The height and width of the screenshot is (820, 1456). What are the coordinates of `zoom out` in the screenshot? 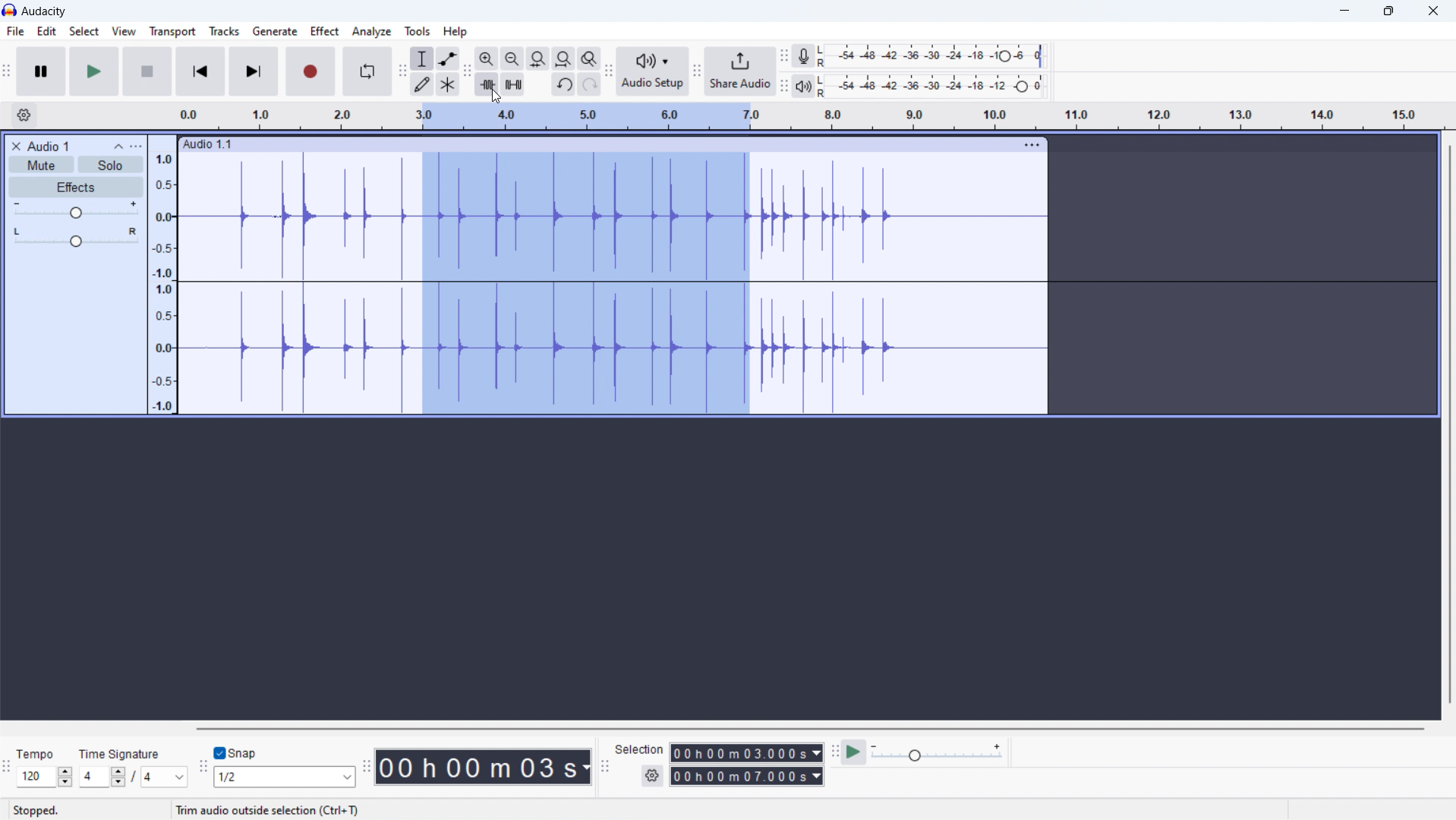 It's located at (512, 58).